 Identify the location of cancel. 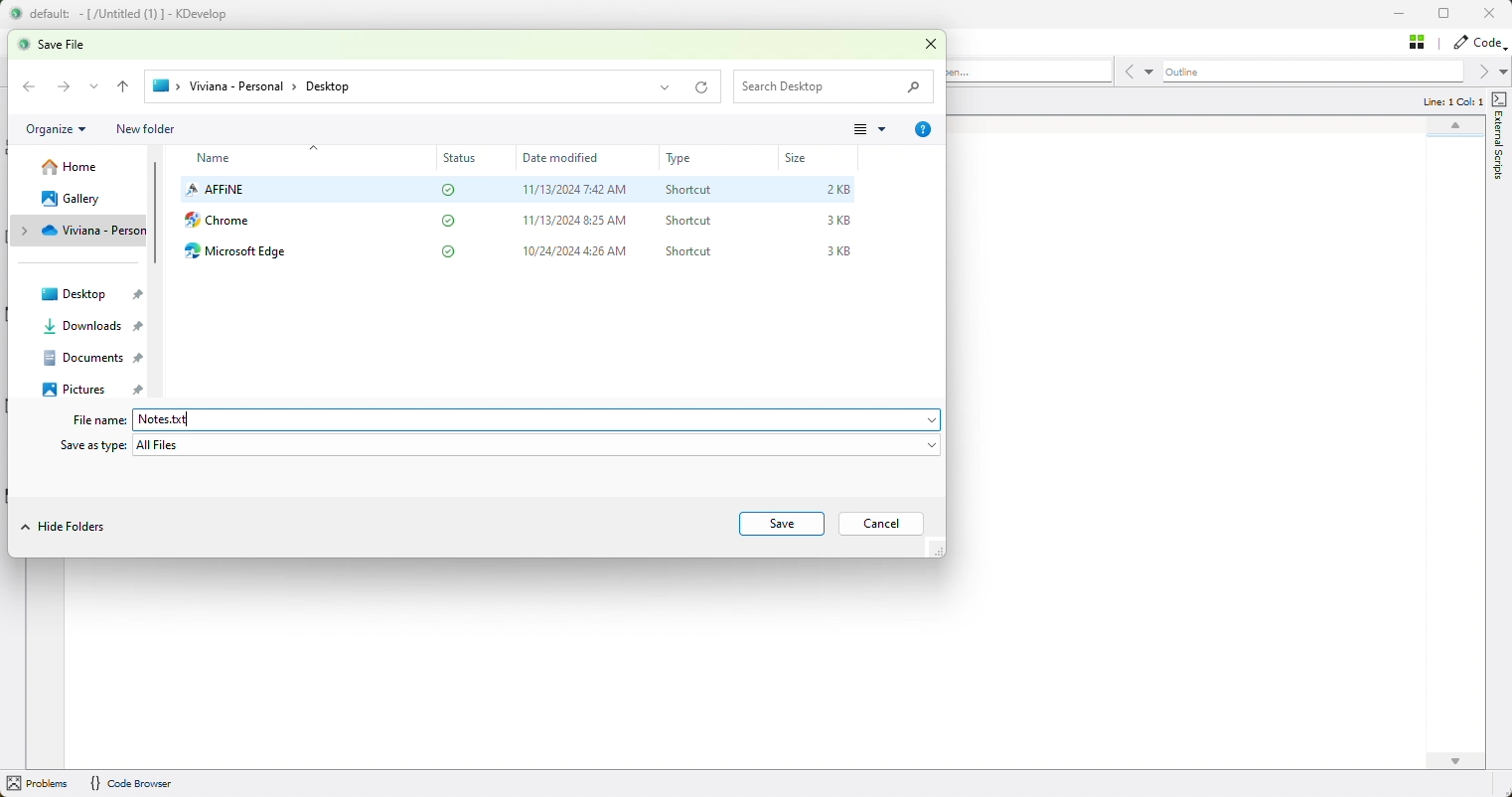
(878, 523).